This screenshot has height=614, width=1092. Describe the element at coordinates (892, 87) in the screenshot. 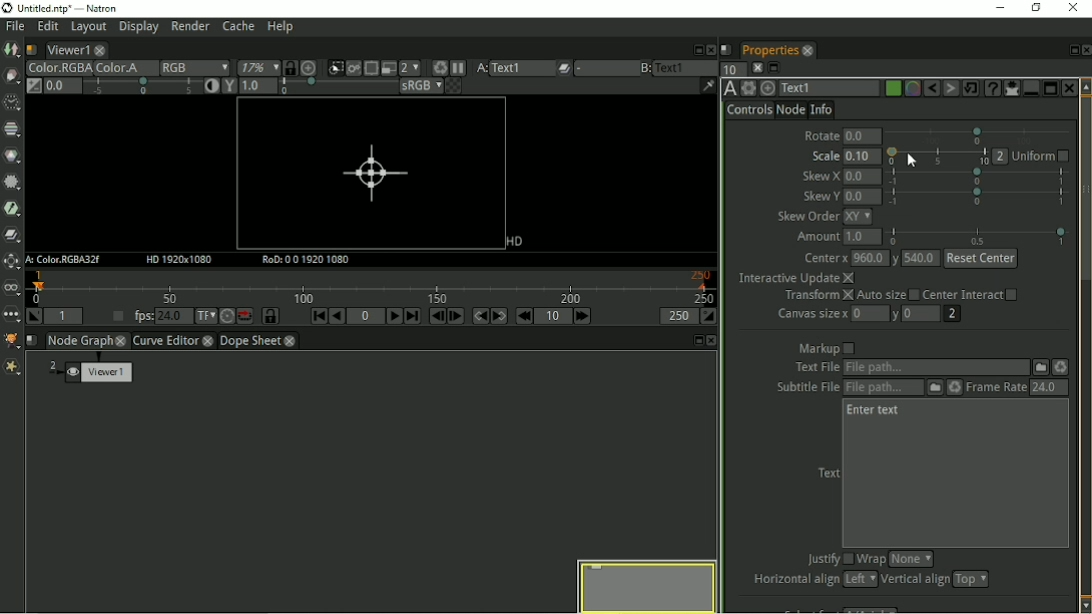

I see `Node color` at that location.